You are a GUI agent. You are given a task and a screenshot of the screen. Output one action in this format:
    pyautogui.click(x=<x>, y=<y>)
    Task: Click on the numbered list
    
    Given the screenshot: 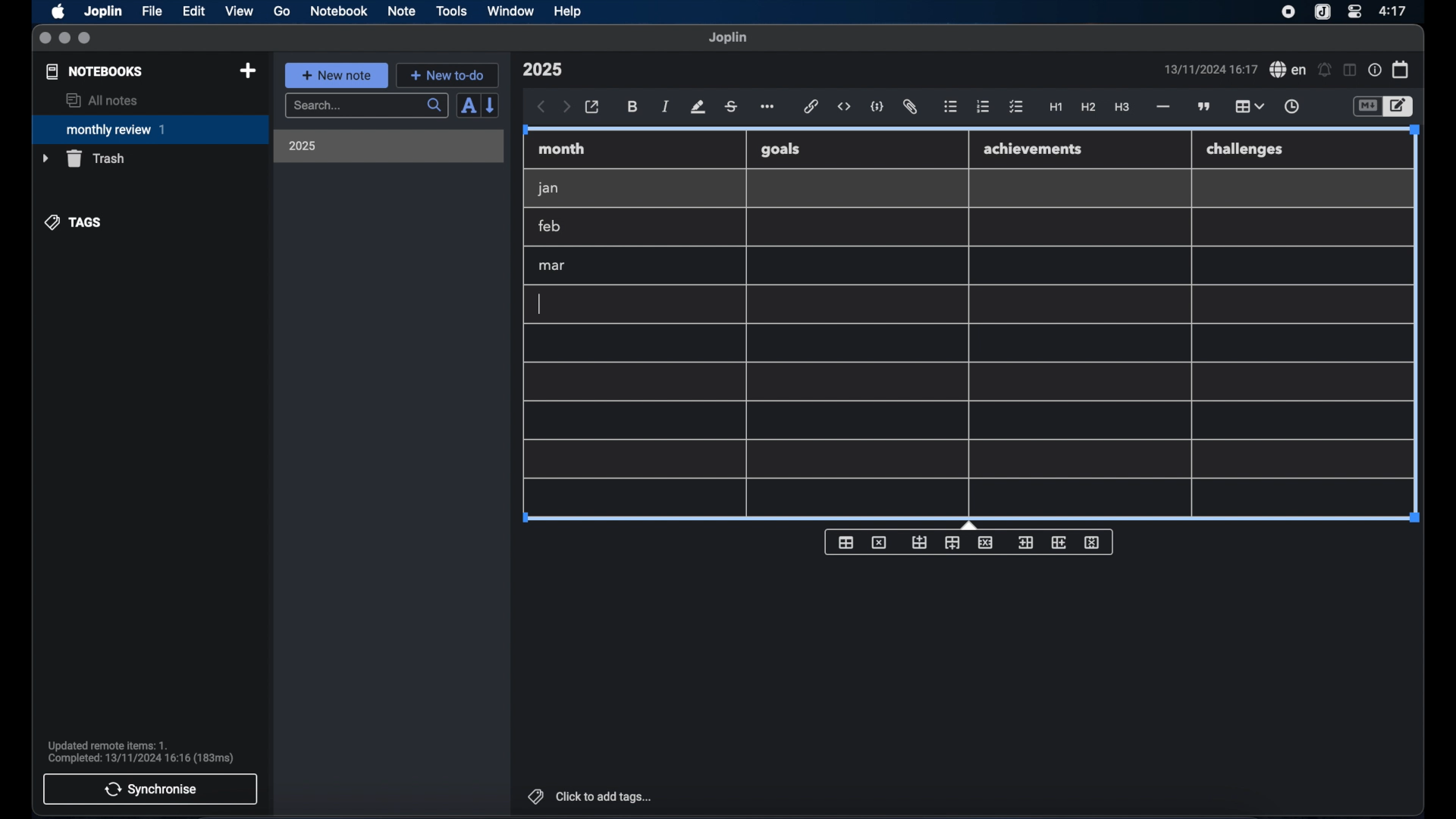 What is the action you would take?
    pyautogui.click(x=983, y=106)
    